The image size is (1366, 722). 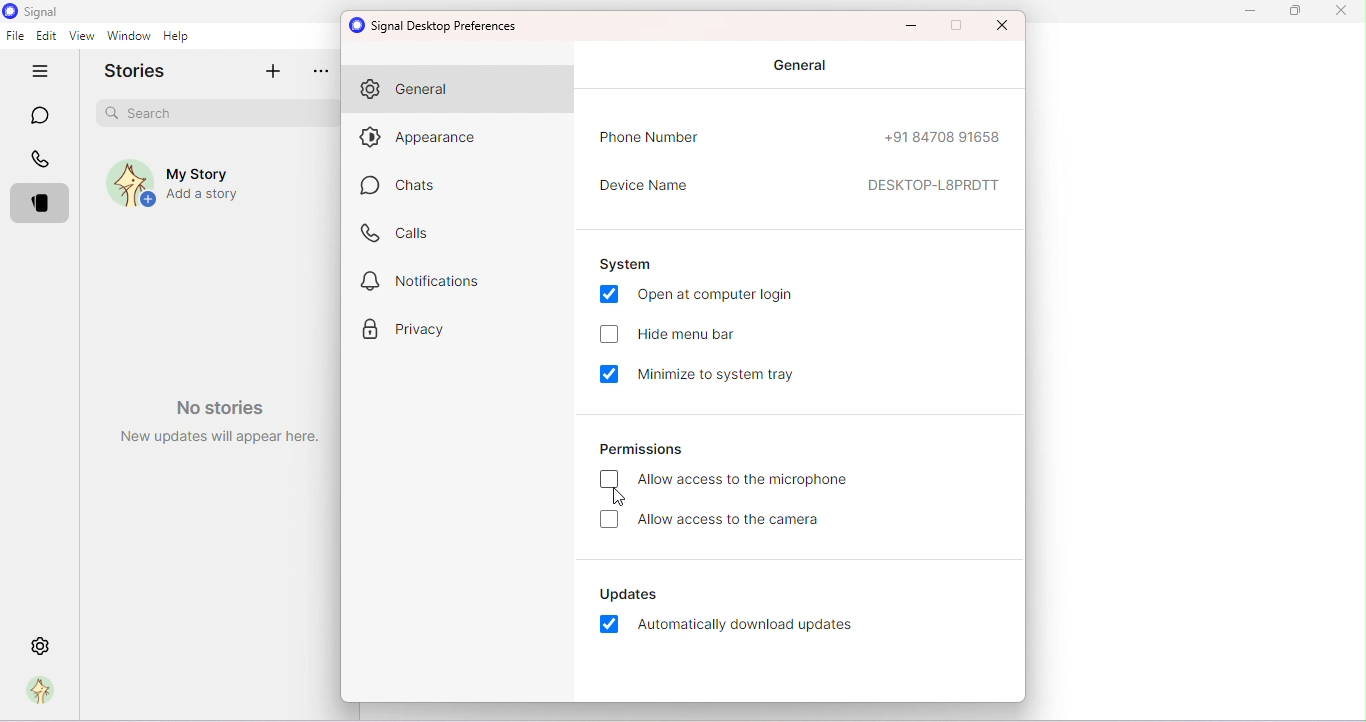 I want to click on Help, so click(x=177, y=38).